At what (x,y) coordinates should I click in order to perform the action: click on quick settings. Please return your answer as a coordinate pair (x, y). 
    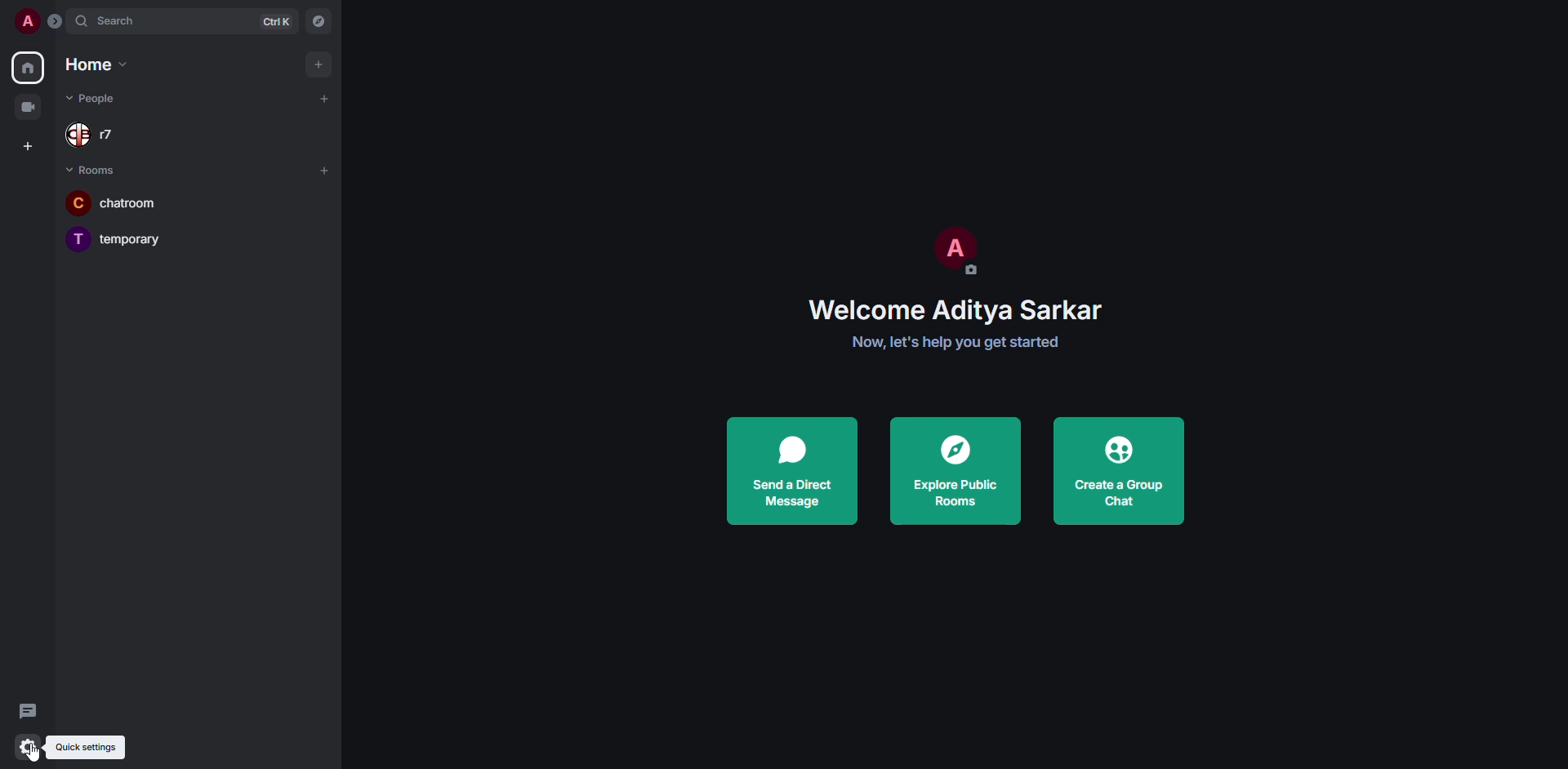
    Looking at the image, I should click on (85, 746).